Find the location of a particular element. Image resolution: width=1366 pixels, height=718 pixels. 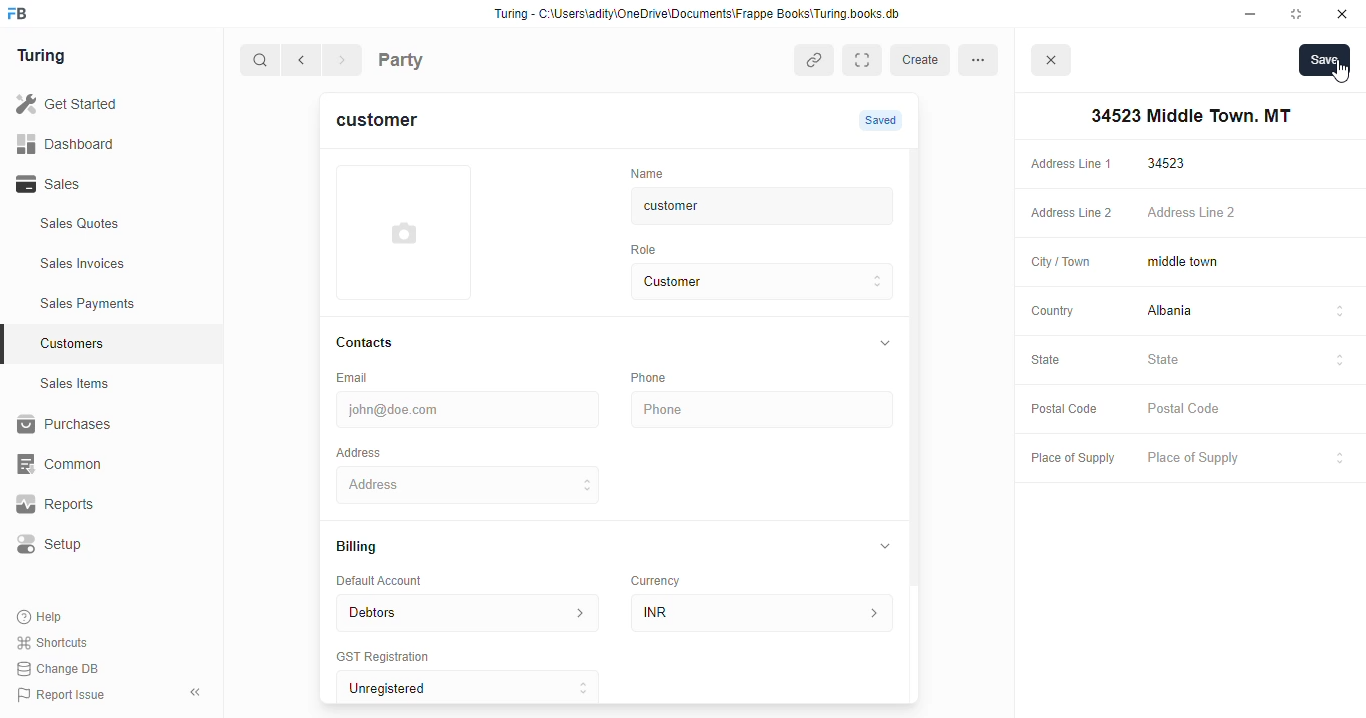

go back is located at coordinates (305, 61).